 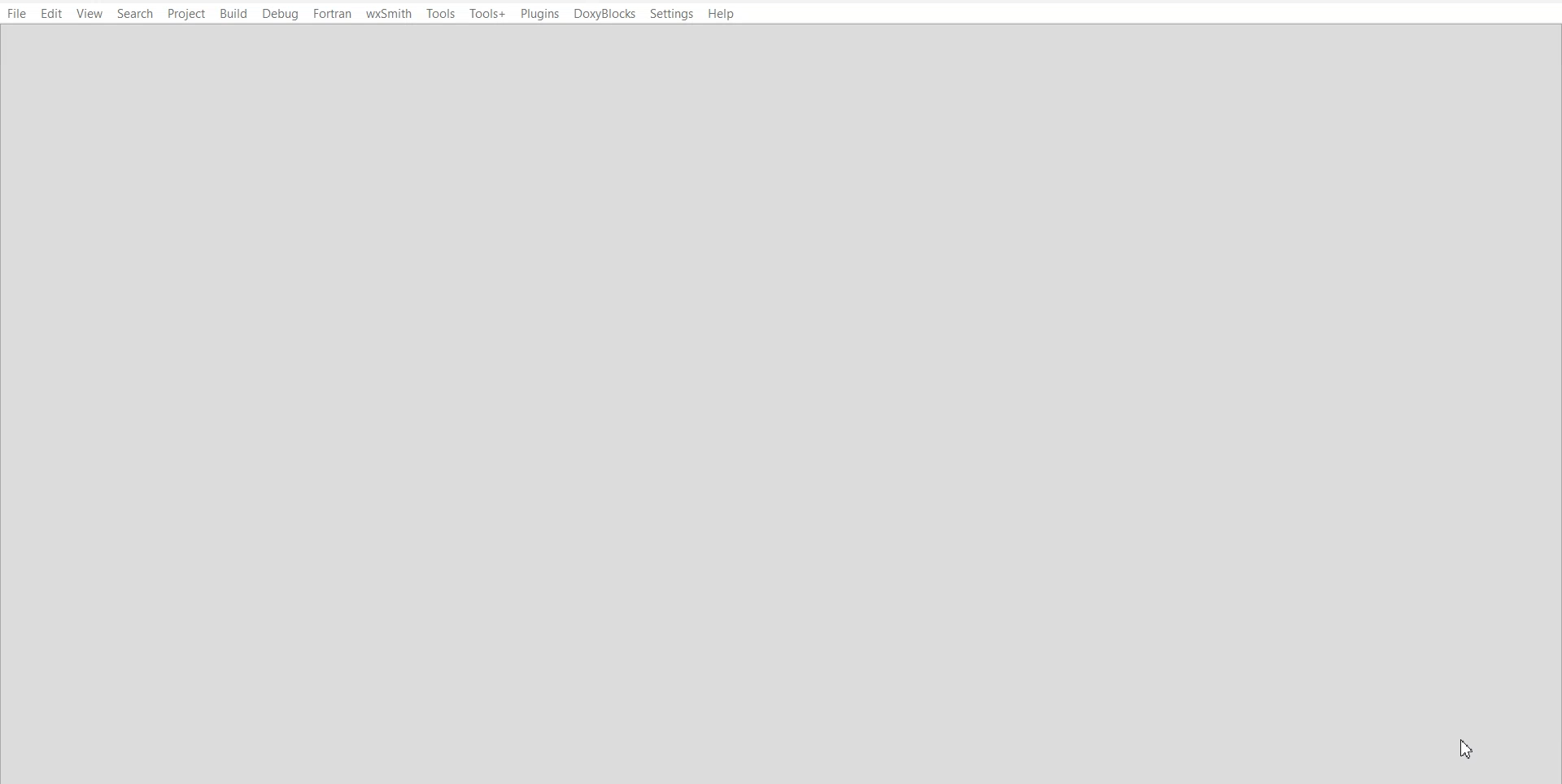 I want to click on Project, so click(x=185, y=13).